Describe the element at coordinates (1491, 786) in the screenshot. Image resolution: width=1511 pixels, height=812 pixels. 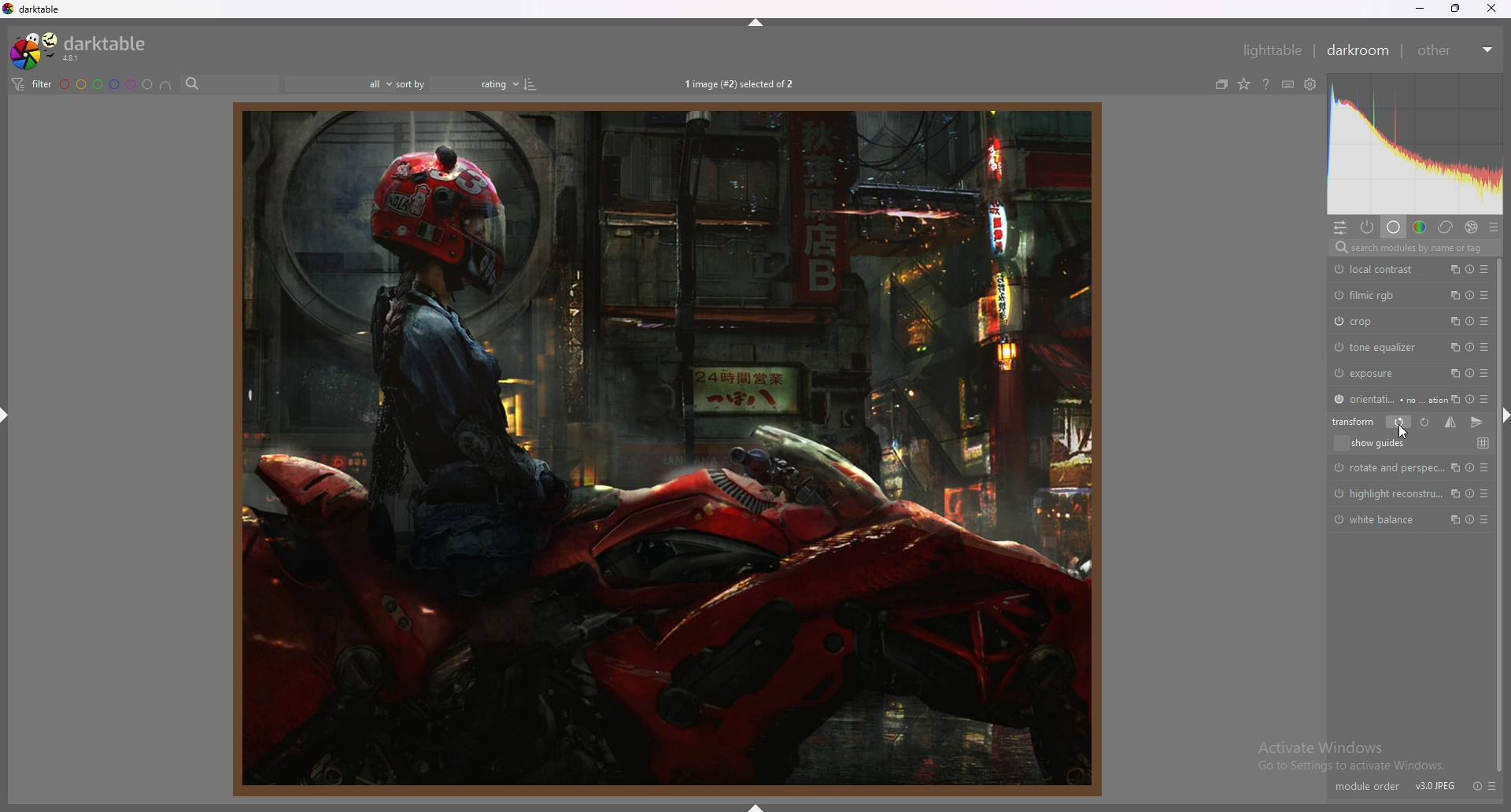
I see `presets` at that location.